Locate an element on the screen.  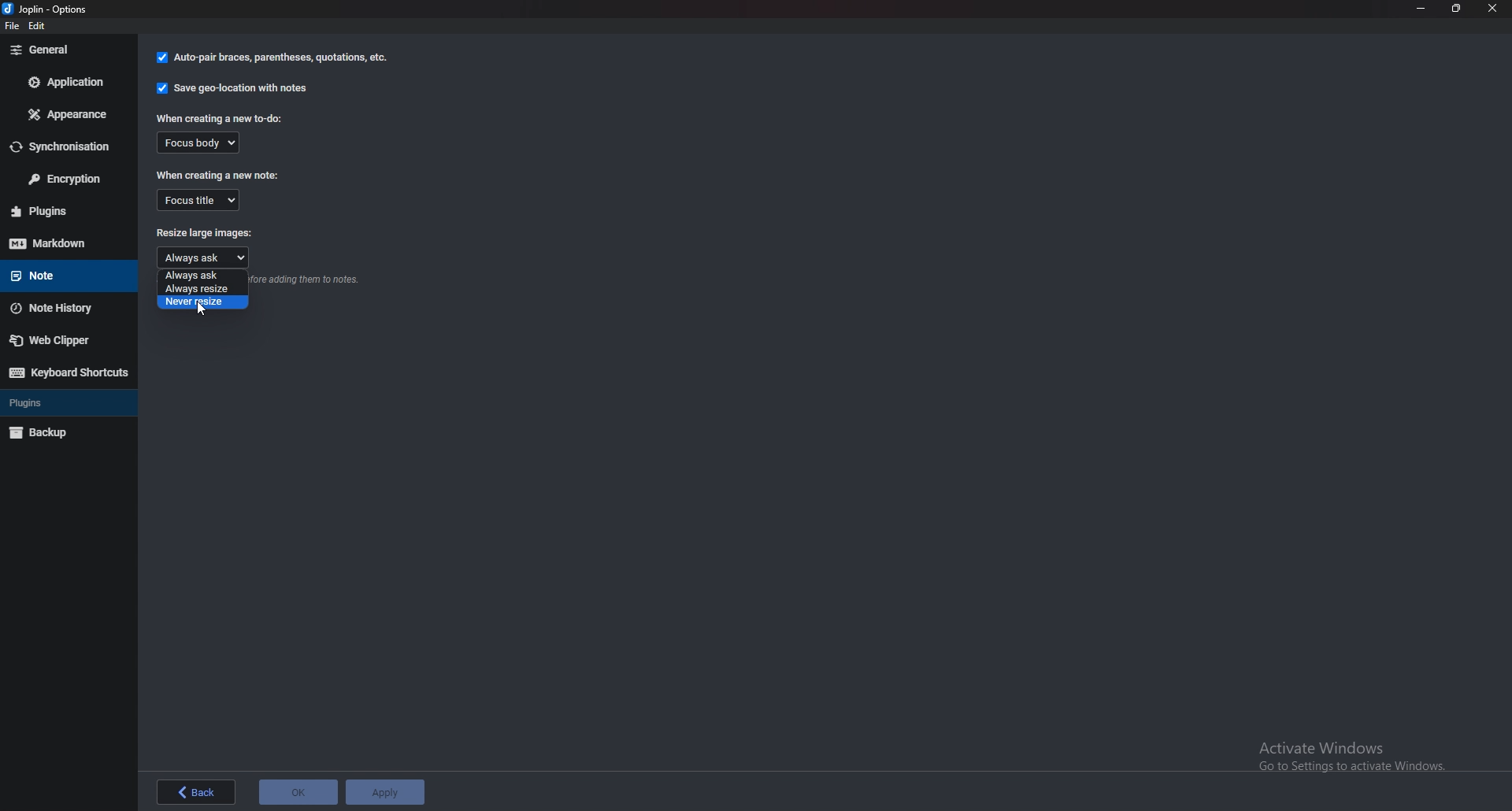
Appearance is located at coordinates (69, 113).